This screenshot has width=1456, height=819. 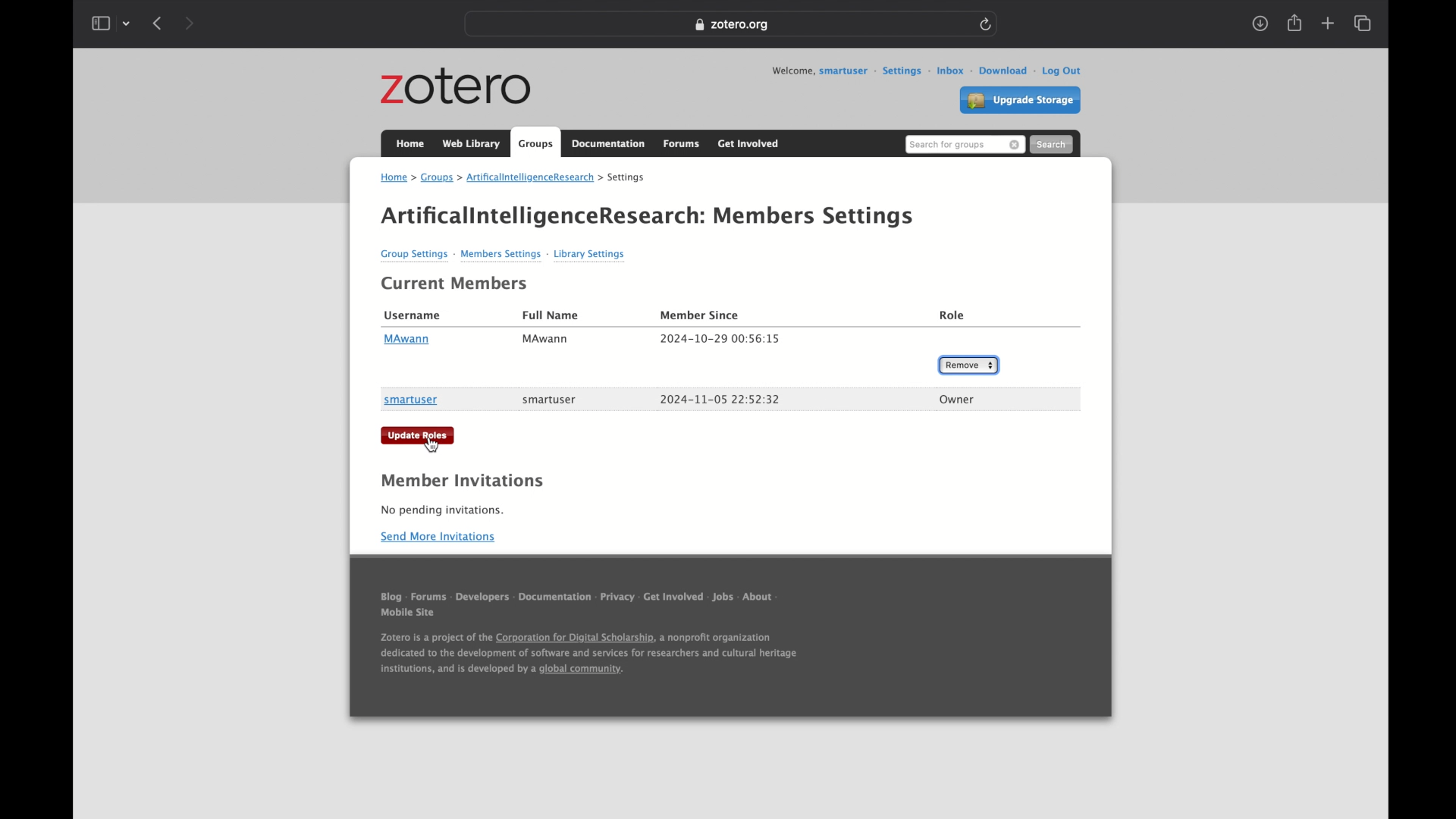 What do you see at coordinates (411, 401) in the screenshot?
I see `smartuser` at bounding box center [411, 401].